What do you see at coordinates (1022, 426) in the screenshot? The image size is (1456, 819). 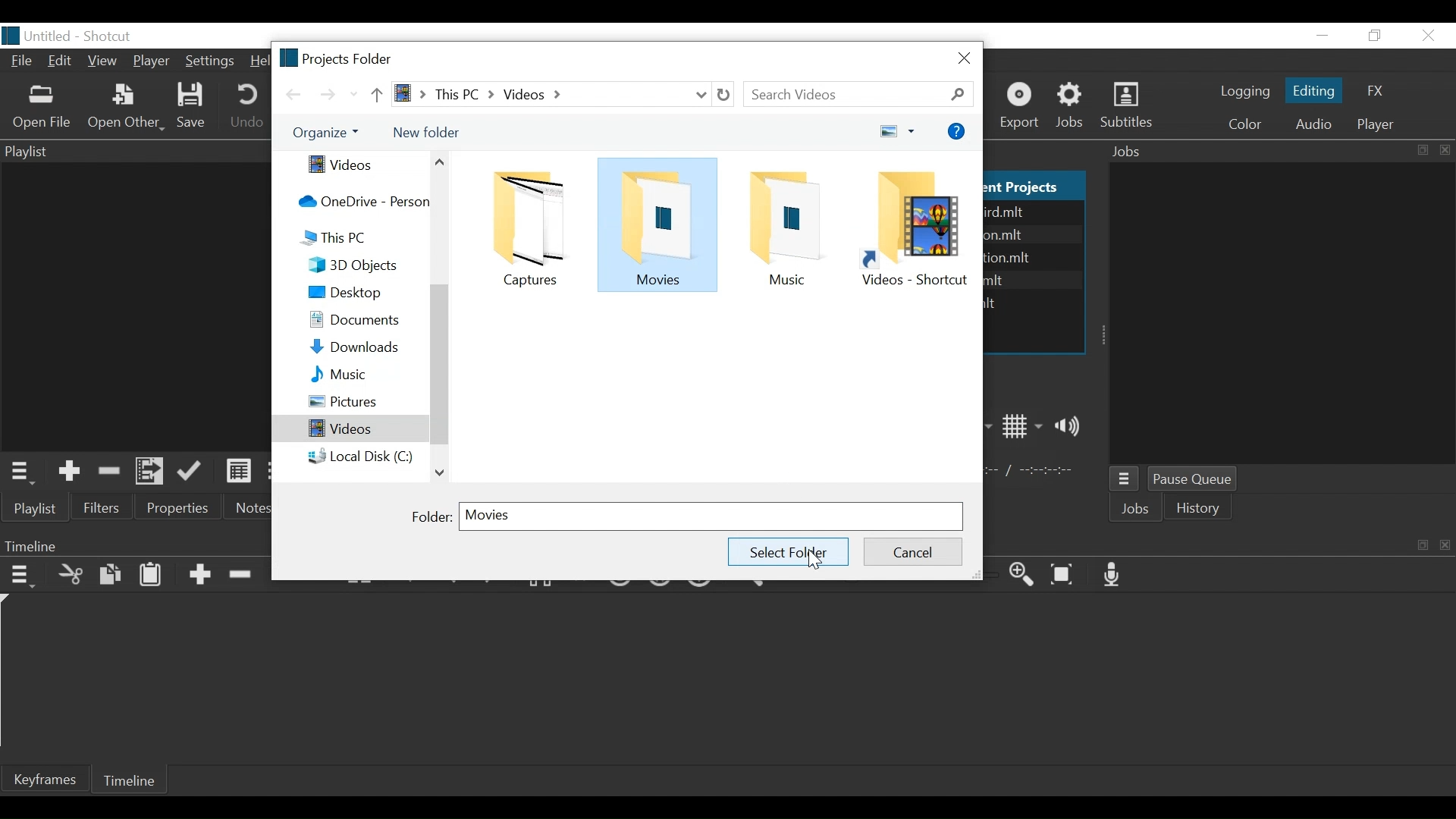 I see `Toggle display grid on player` at bounding box center [1022, 426].